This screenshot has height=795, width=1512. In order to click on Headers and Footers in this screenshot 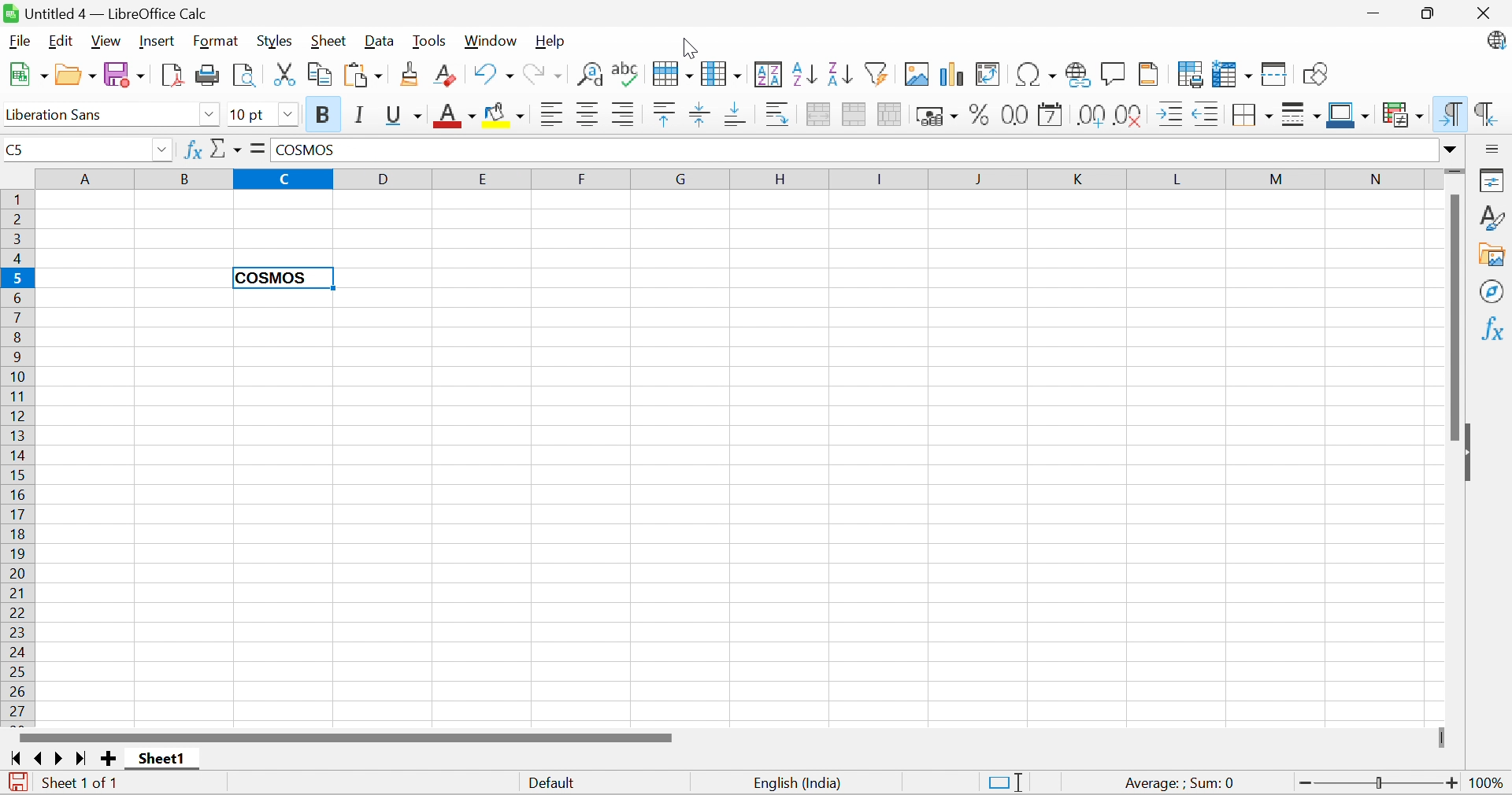, I will do `click(1152, 72)`.